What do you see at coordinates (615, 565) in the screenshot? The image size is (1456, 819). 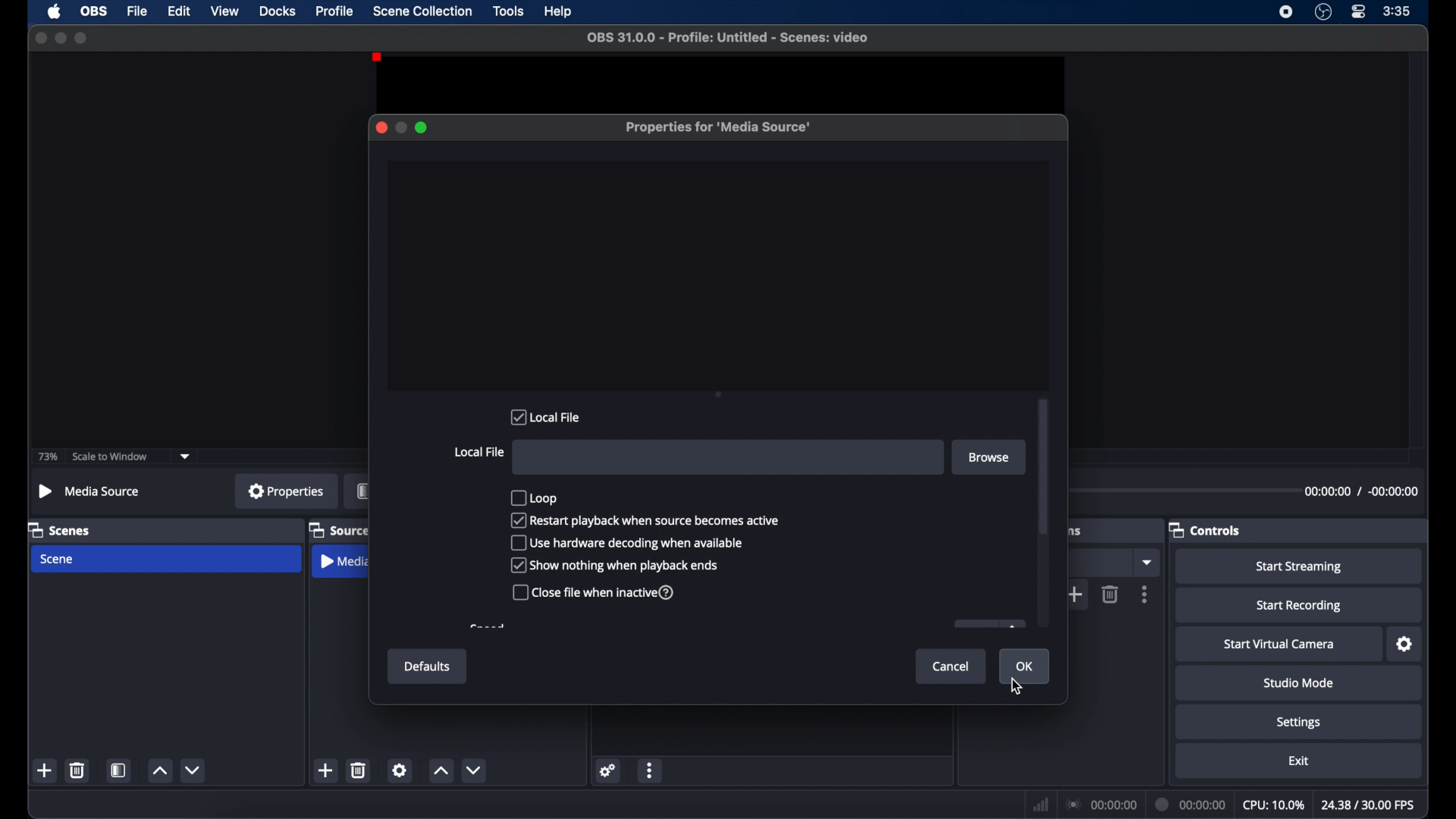 I see `checkbox` at bounding box center [615, 565].